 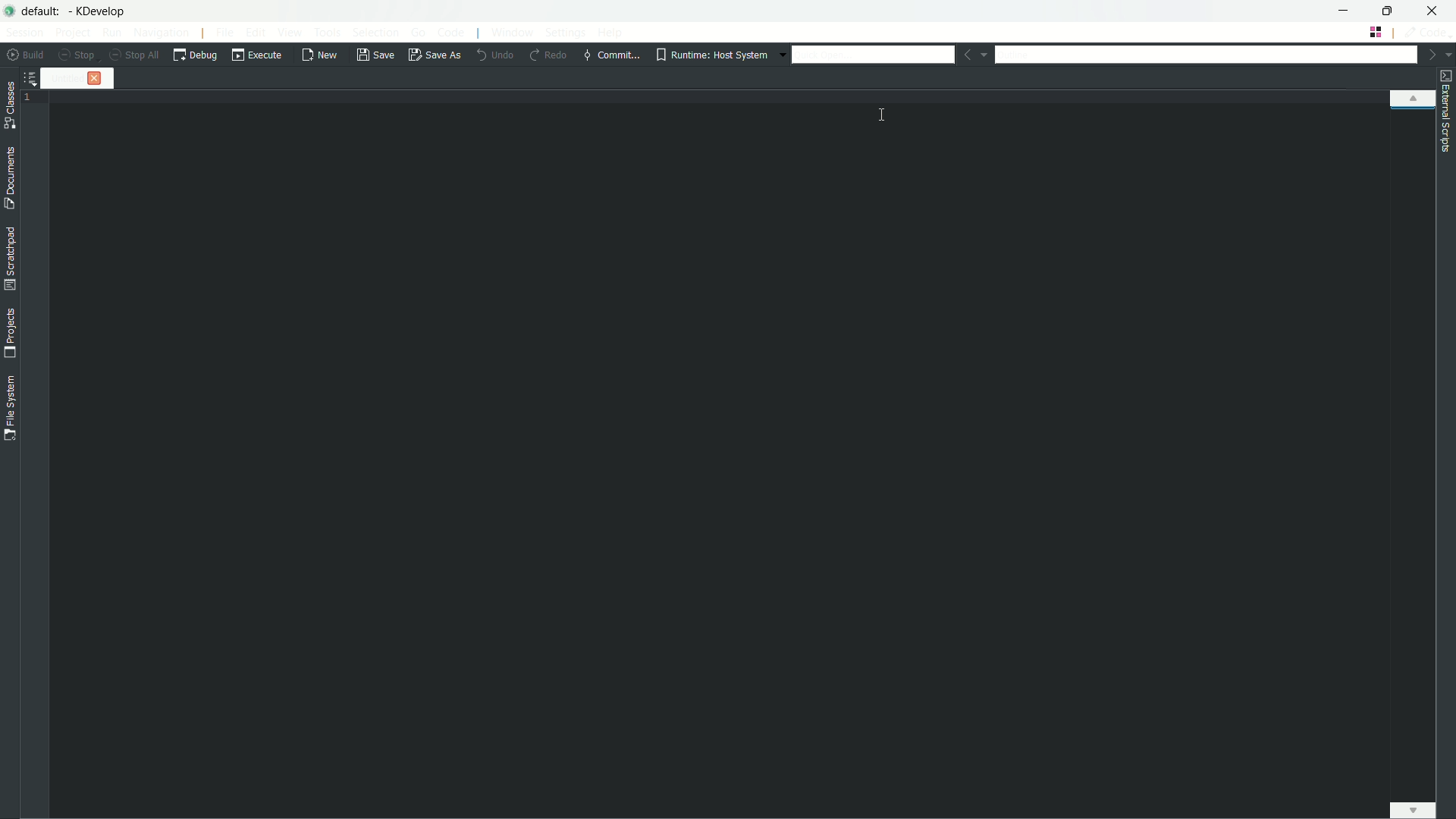 What do you see at coordinates (12, 180) in the screenshot?
I see `toggle documents` at bounding box center [12, 180].